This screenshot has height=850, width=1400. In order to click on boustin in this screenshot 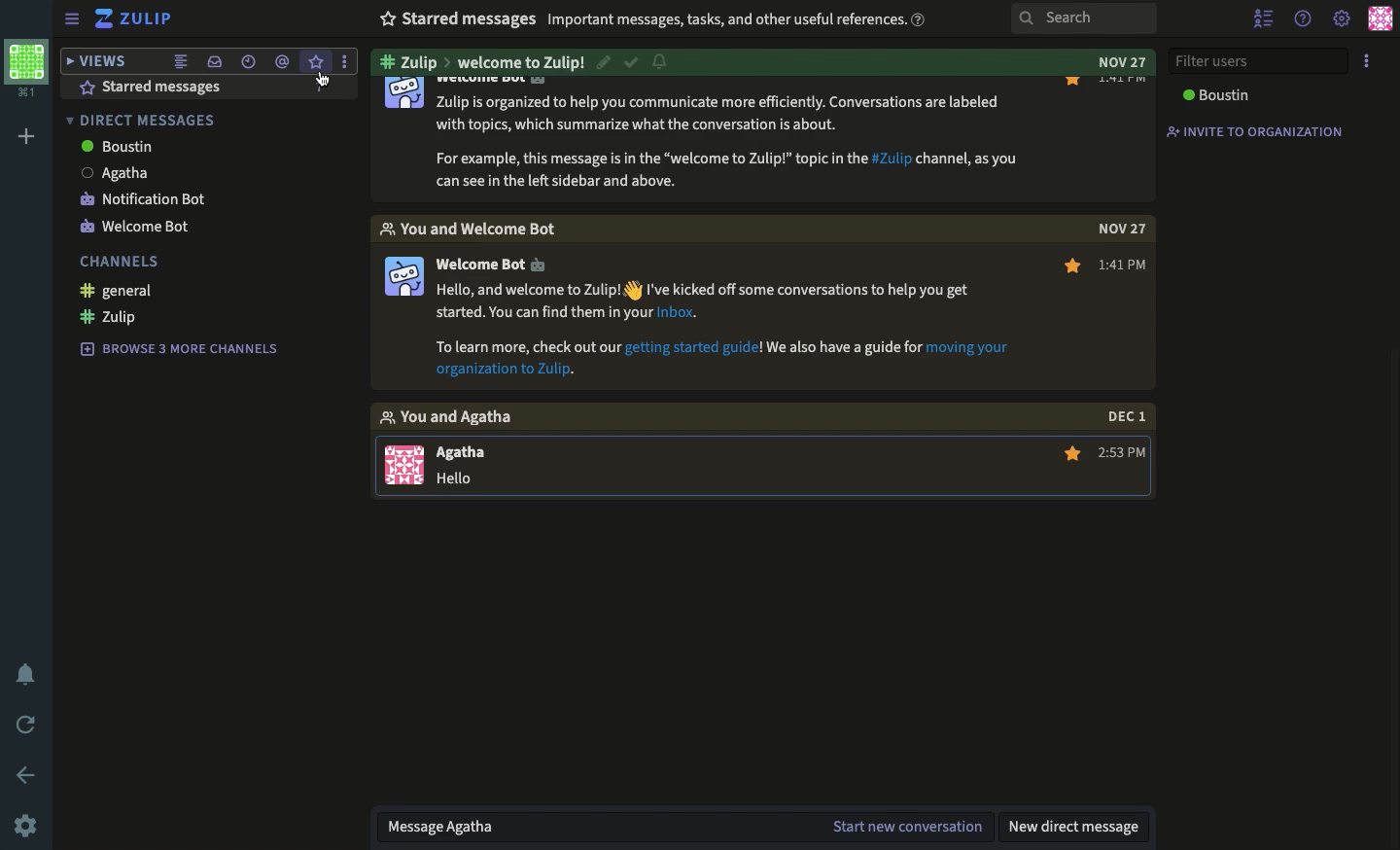, I will do `click(109, 147)`.